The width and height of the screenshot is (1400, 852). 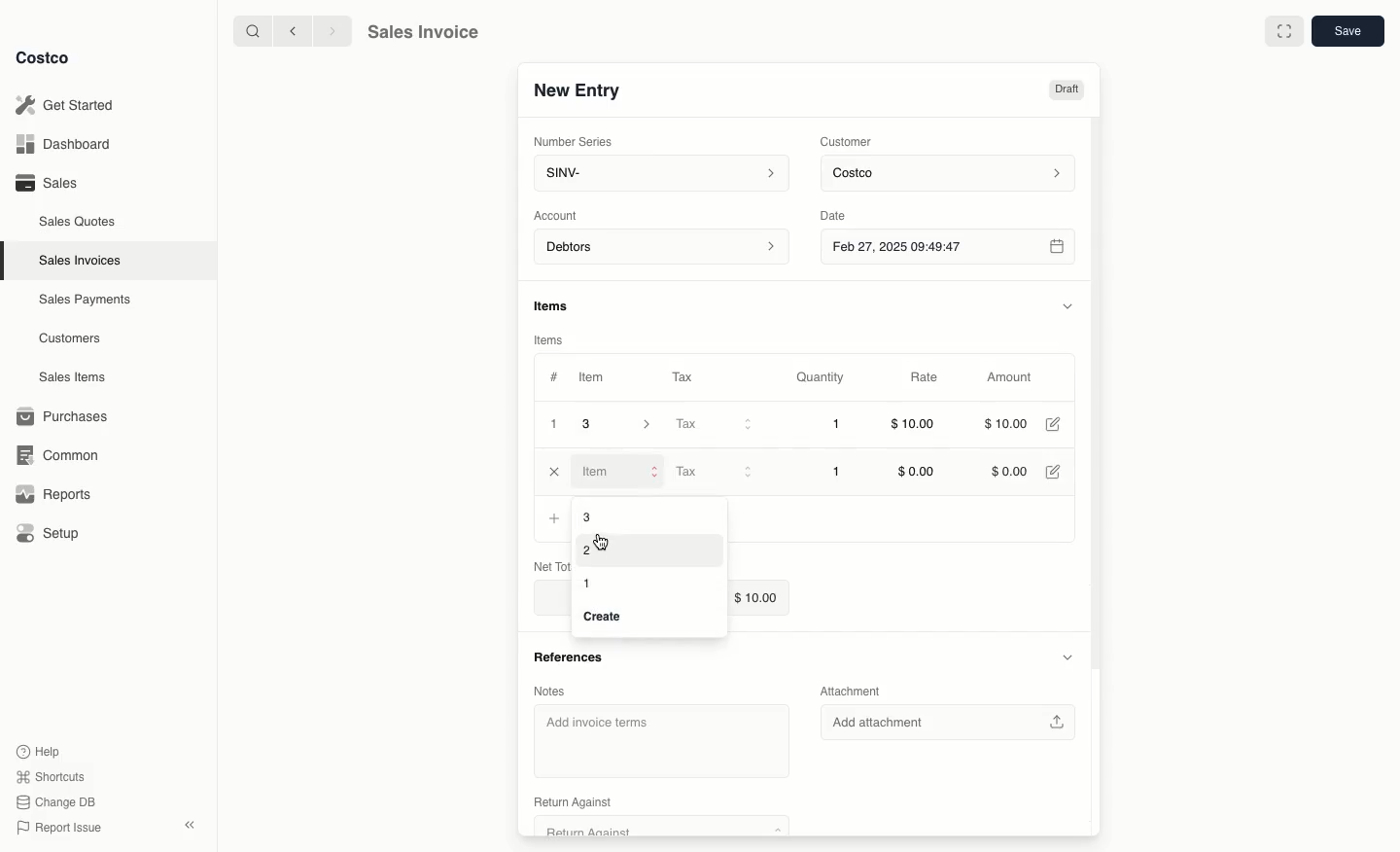 I want to click on SINV-, so click(x=657, y=175).